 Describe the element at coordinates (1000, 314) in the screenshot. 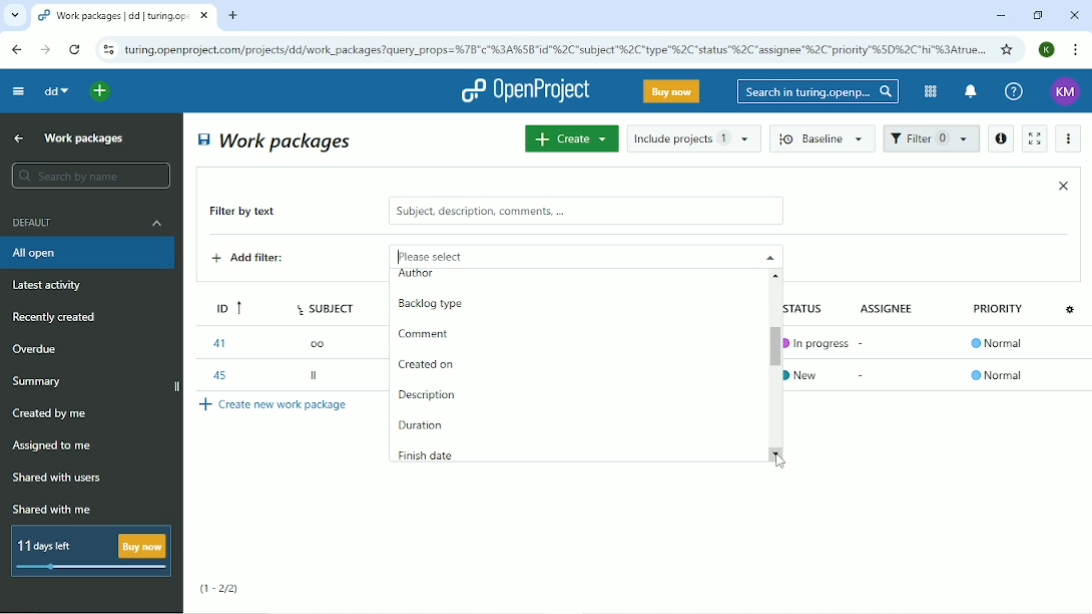

I see `Priority` at that location.